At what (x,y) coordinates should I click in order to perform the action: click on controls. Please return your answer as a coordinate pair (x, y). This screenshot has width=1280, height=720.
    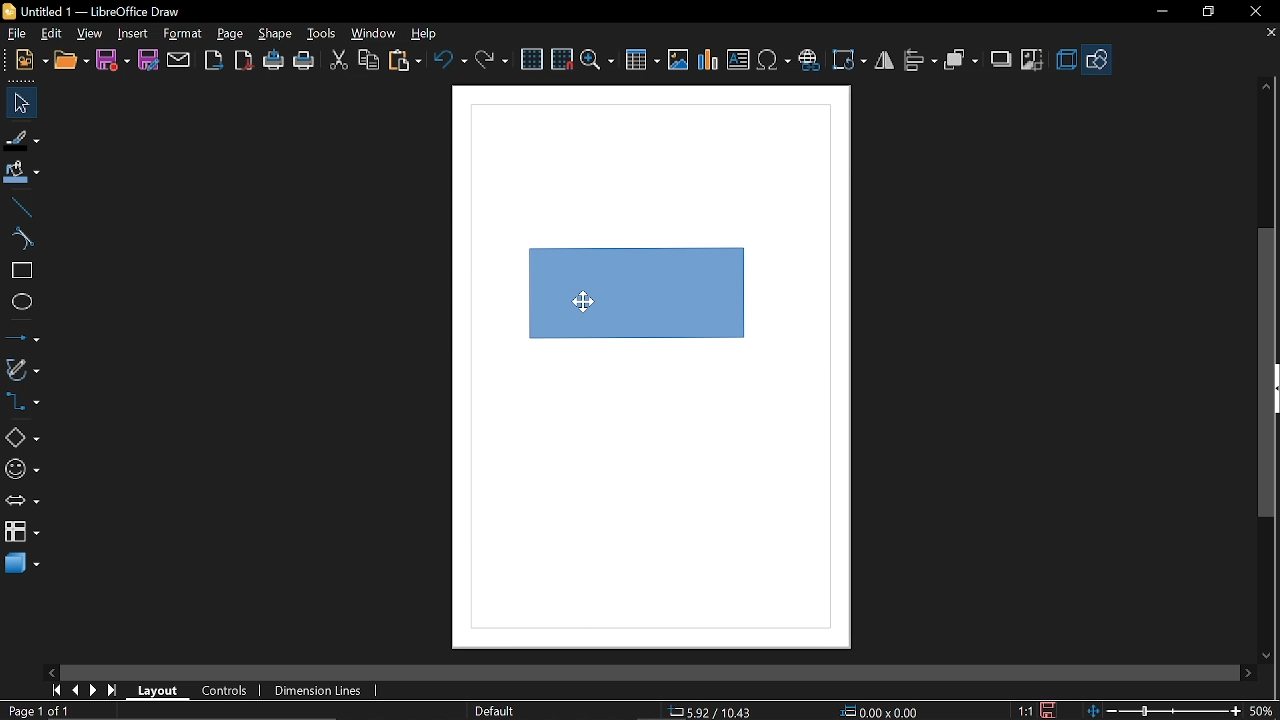
    Looking at the image, I should click on (226, 693).